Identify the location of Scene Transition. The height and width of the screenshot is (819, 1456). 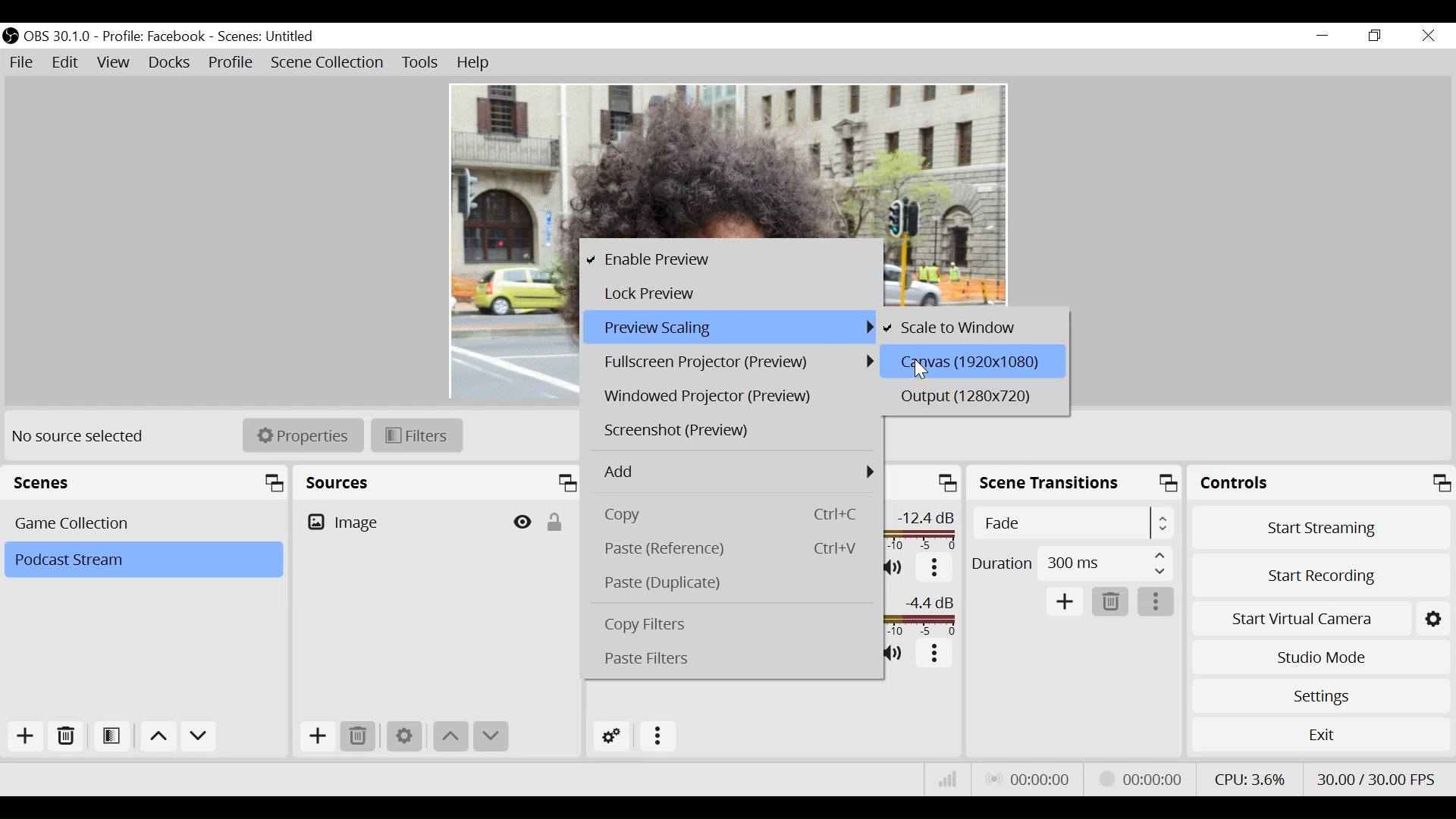
(1076, 482).